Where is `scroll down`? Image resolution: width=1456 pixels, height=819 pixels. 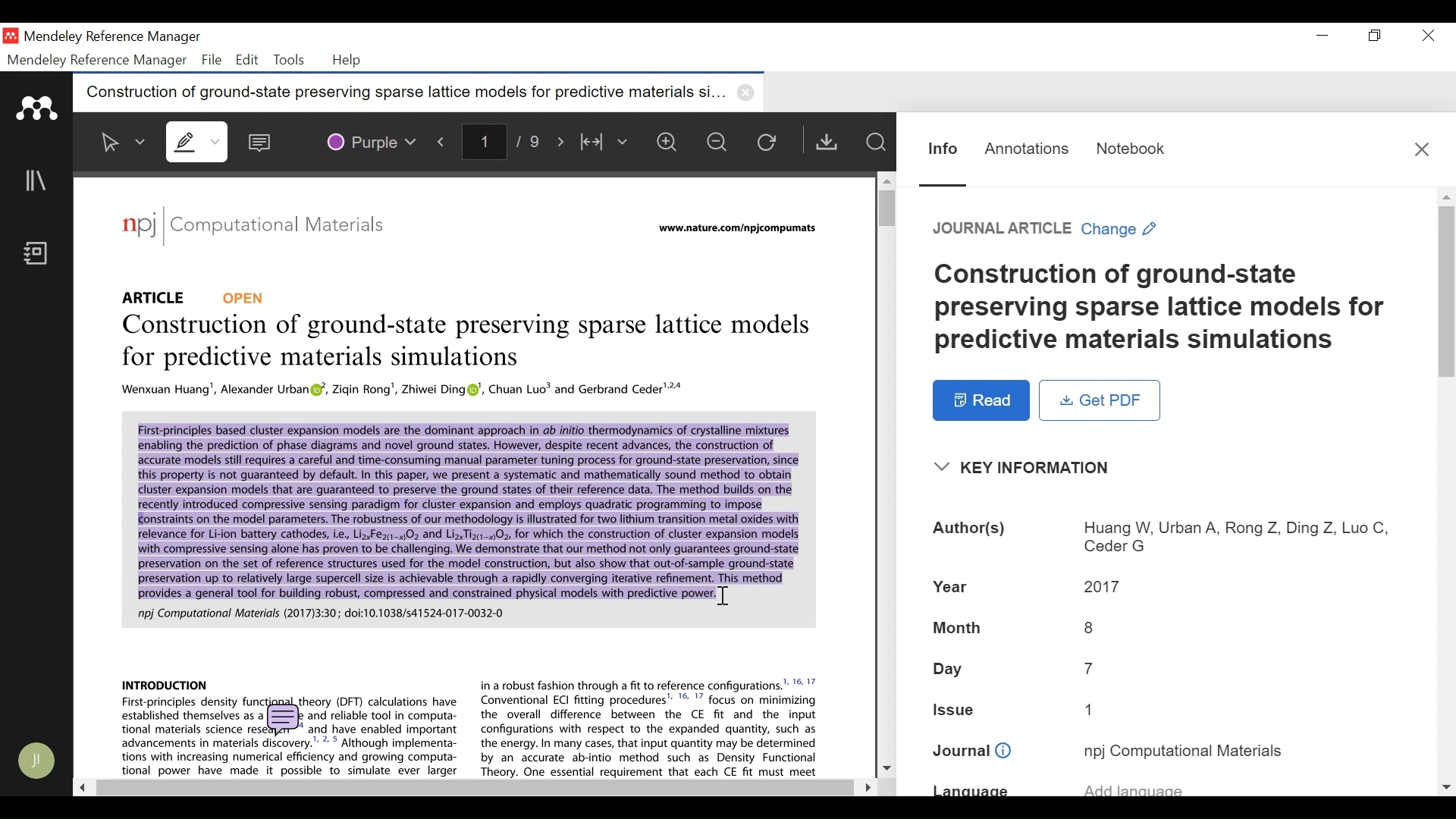 scroll down is located at coordinates (1446, 787).